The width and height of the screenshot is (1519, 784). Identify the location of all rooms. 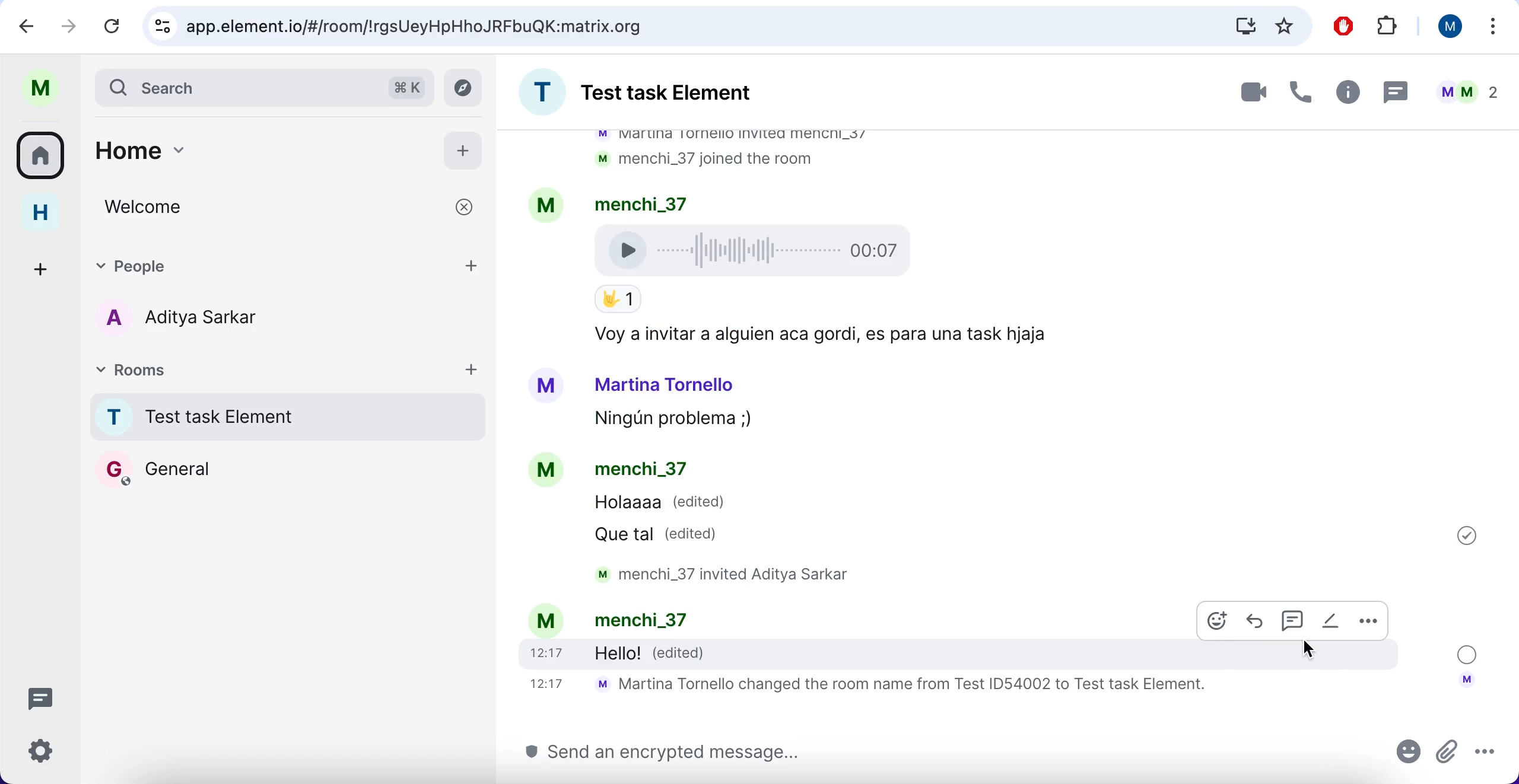
(43, 157).